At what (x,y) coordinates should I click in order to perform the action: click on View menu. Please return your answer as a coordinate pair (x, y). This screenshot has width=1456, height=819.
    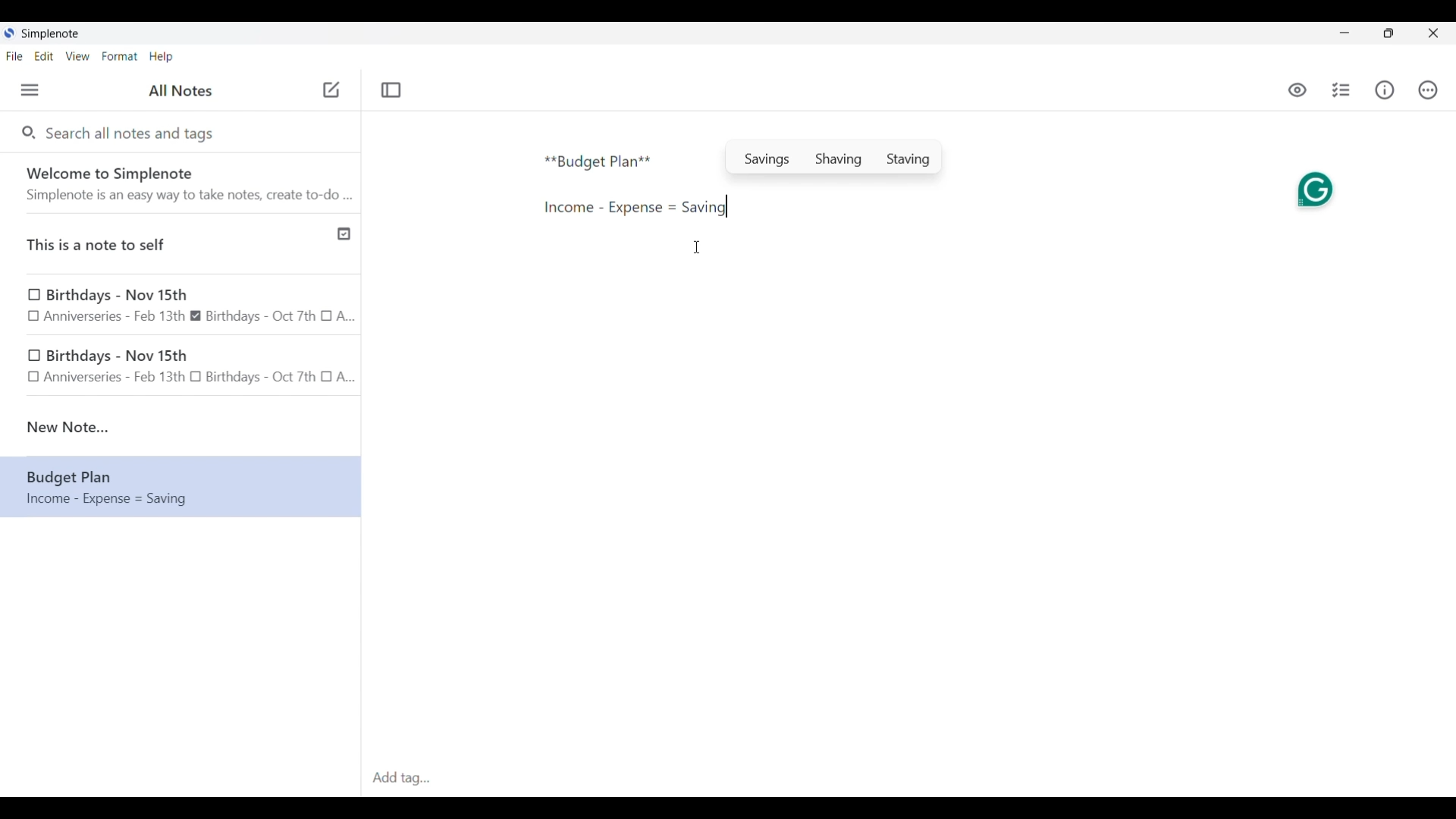
    Looking at the image, I should click on (78, 55).